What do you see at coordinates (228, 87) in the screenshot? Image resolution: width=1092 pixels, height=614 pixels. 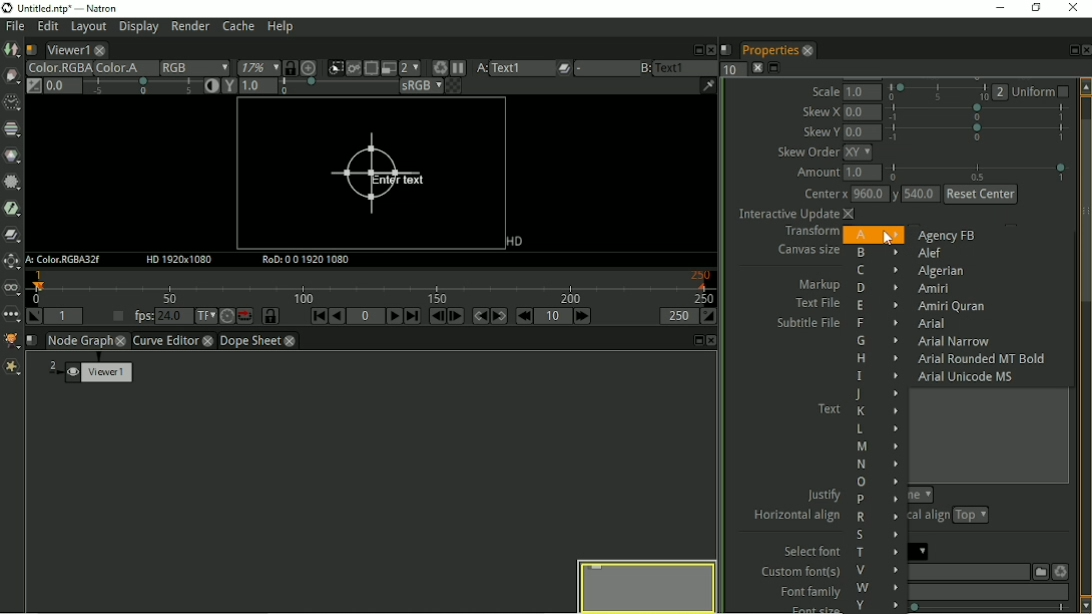 I see `Viewer gamma correction` at bounding box center [228, 87].